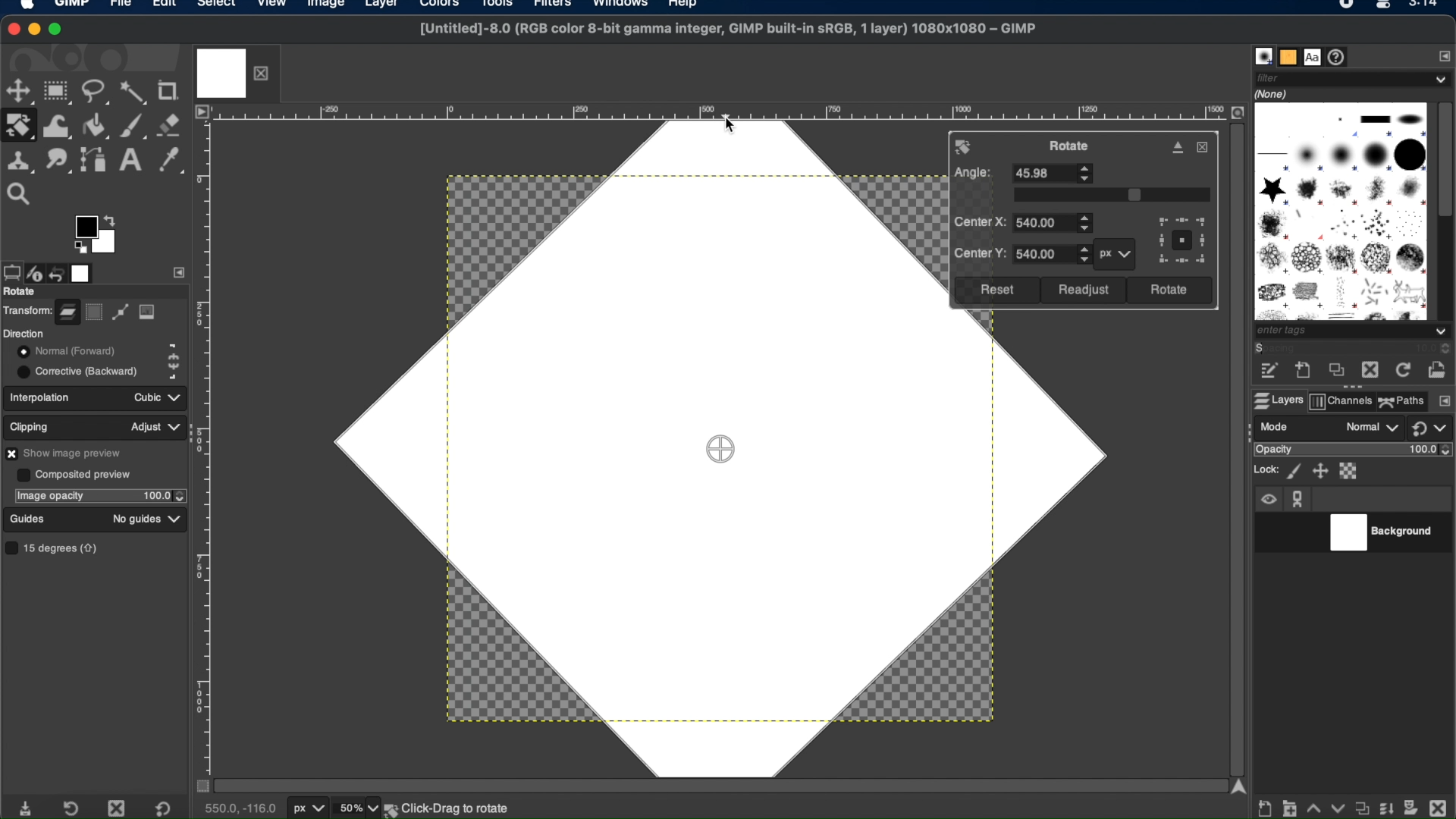 The width and height of the screenshot is (1456, 819). Describe the element at coordinates (621, 6) in the screenshot. I see `windows` at that location.